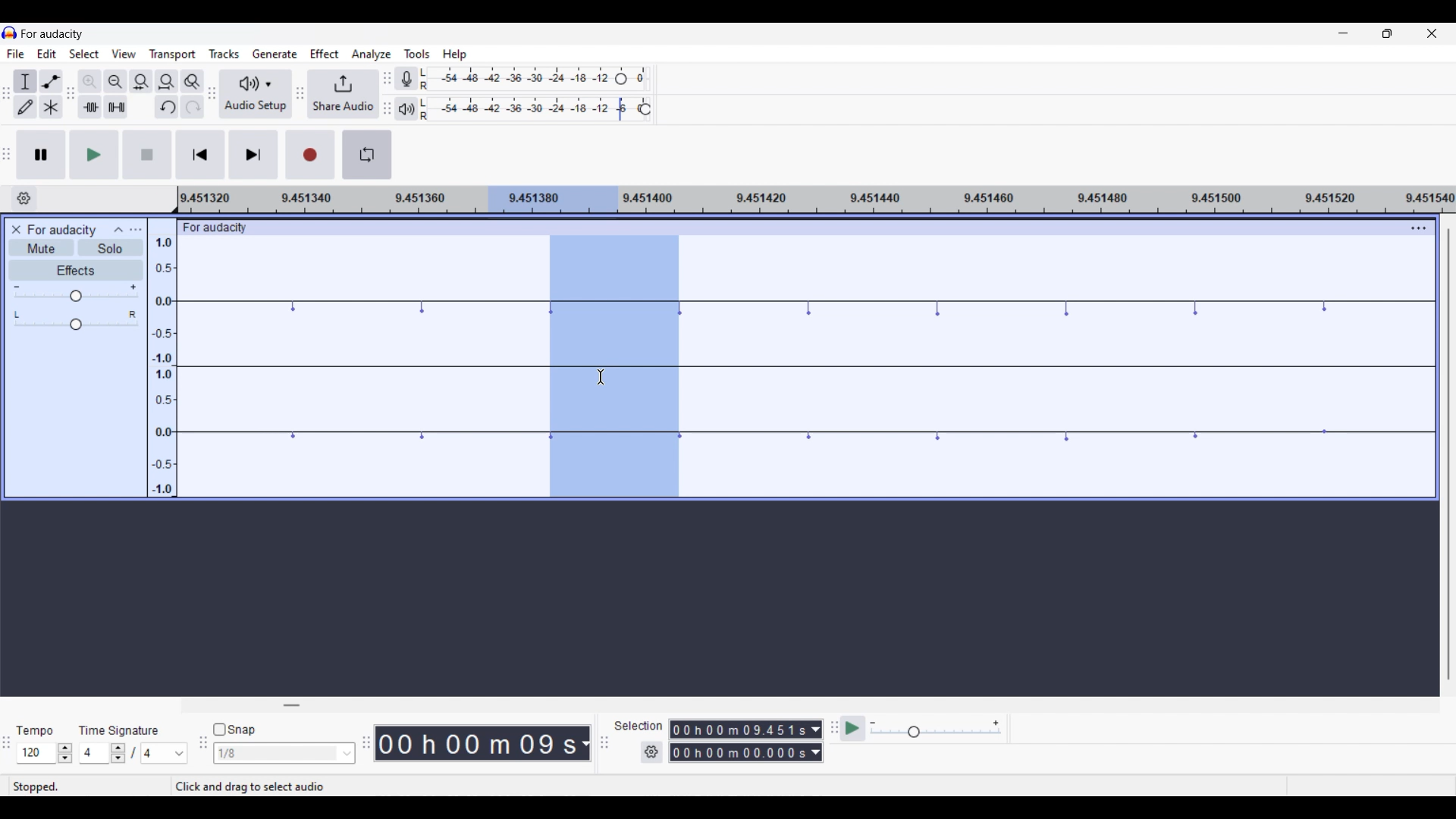 This screenshot has height=819, width=1456. What do you see at coordinates (406, 109) in the screenshot?
I see `Playback meter` at bounding box center [406, 109].